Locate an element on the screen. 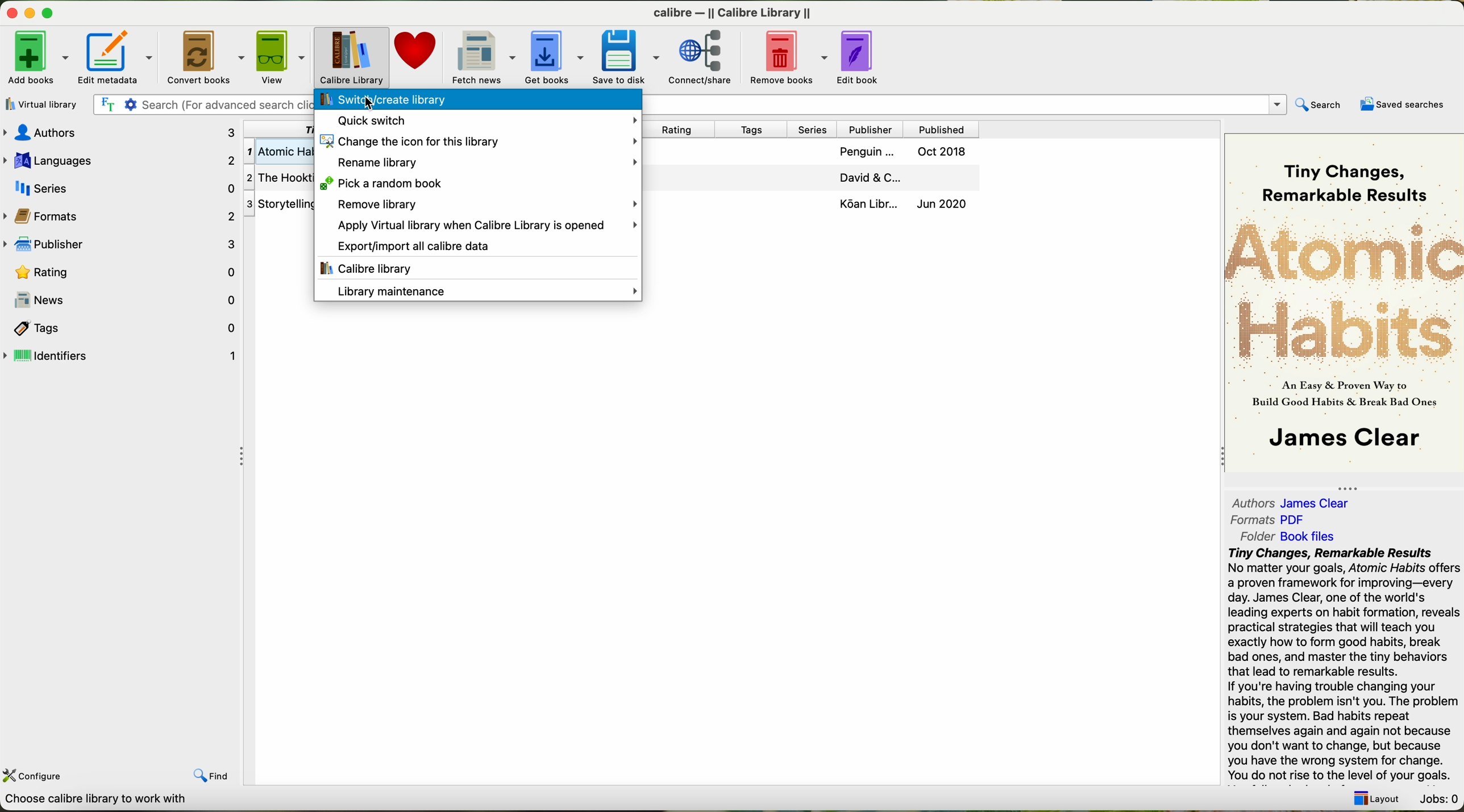 This screenshot has width=1464, height=812. authors is located at coordinates (1249, 501).